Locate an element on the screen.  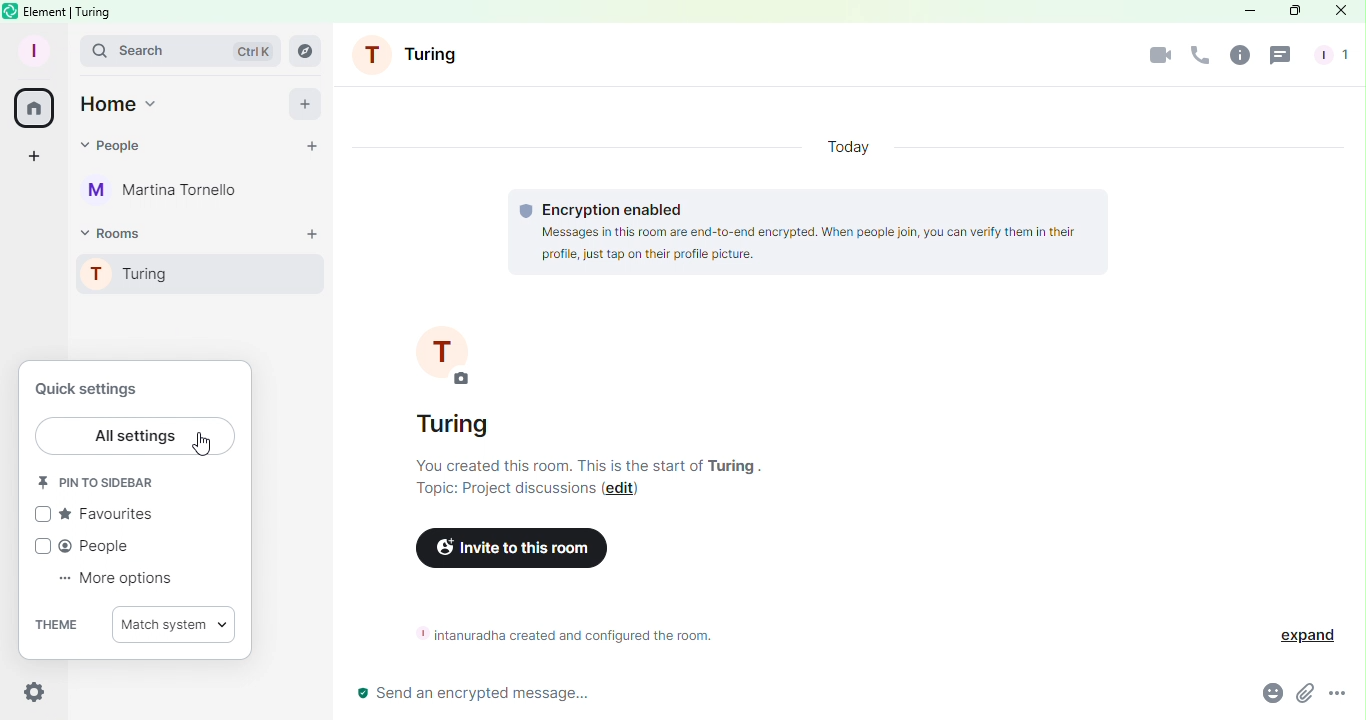
Expand is located at coordinates (1299, 635).